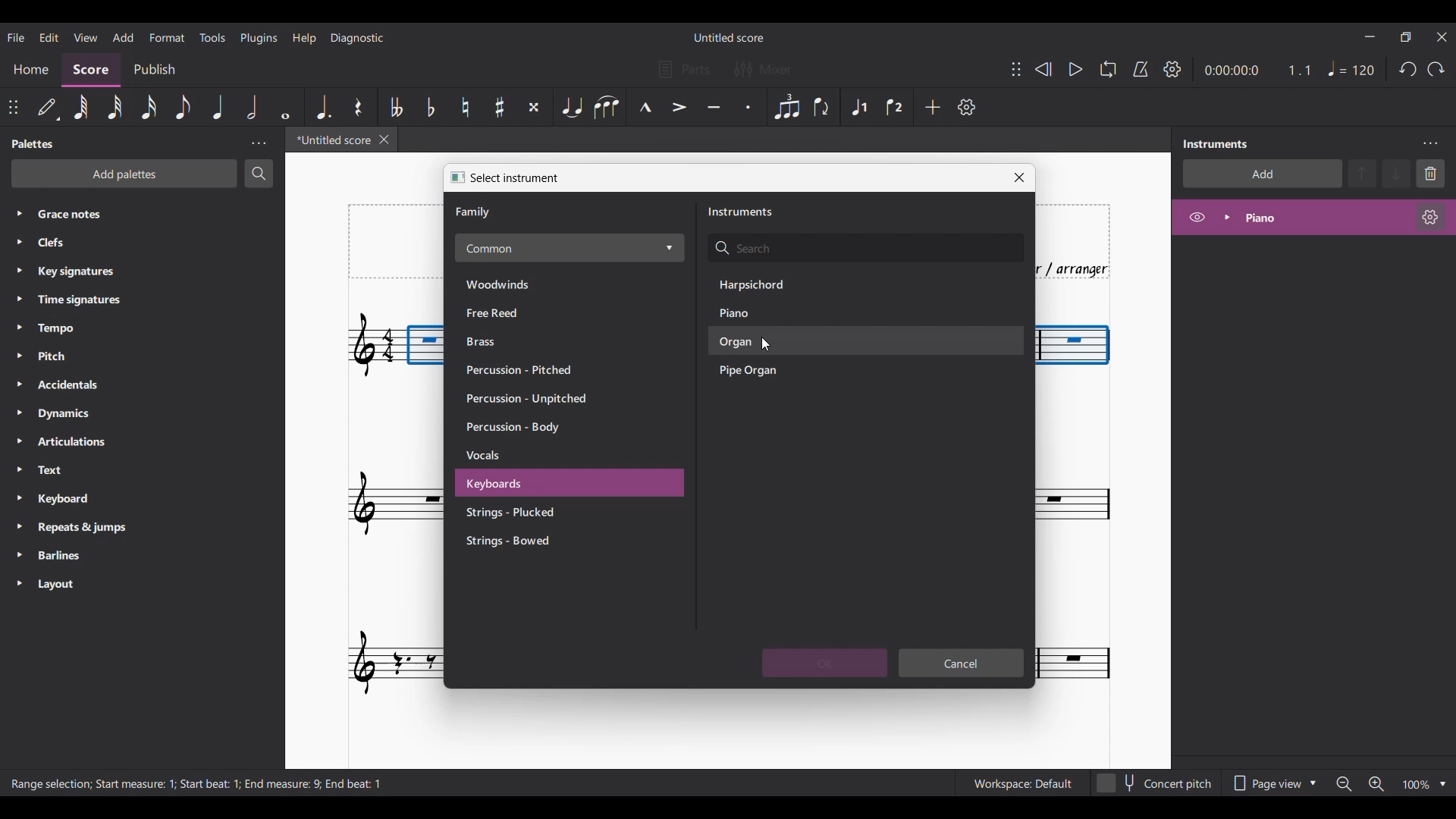 The height and width of the screenshot is (819, 1456). I want to click on Voice 2, so click(894, 108).